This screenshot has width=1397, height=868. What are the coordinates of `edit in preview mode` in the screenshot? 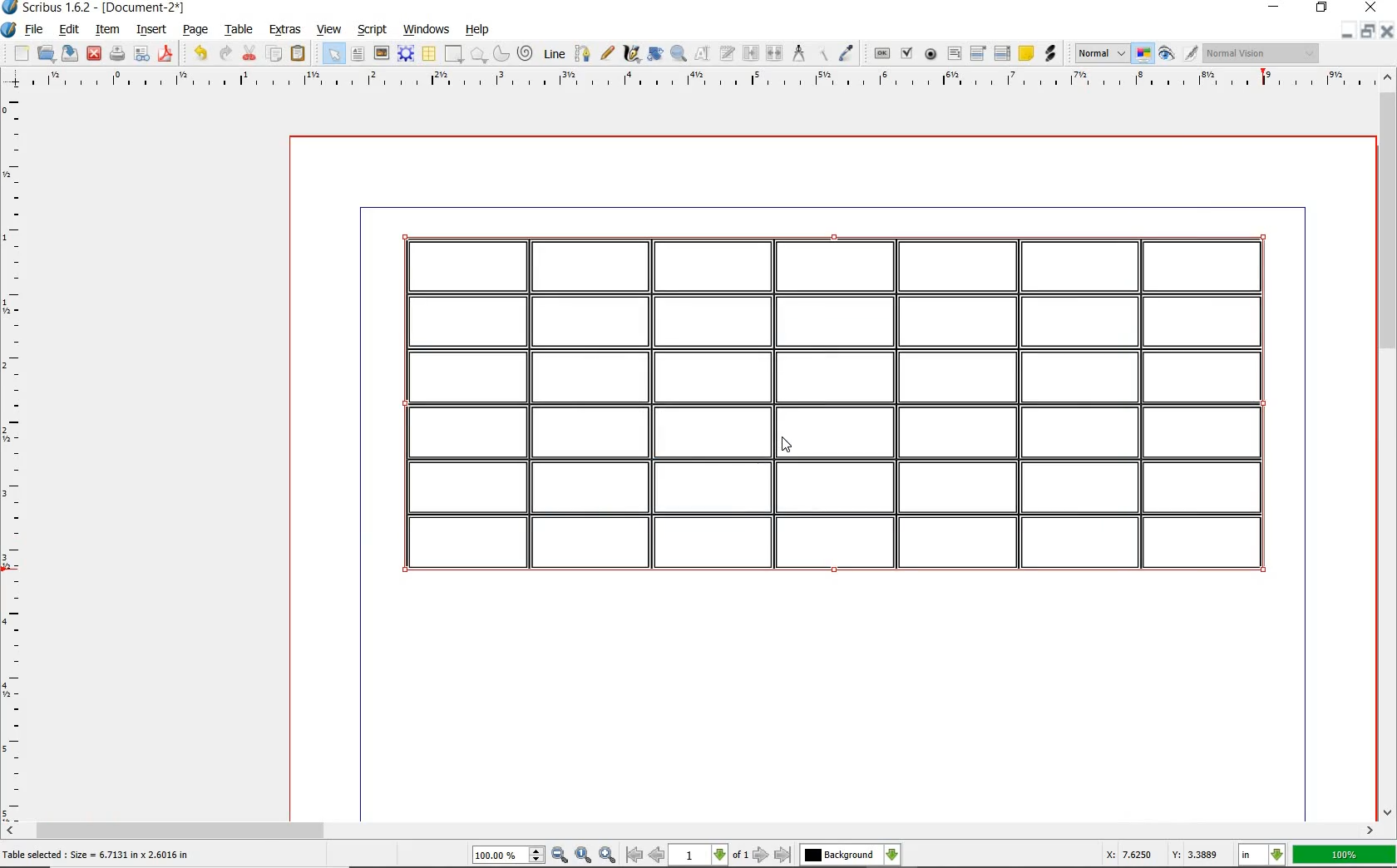 It's located at (1190, 53).